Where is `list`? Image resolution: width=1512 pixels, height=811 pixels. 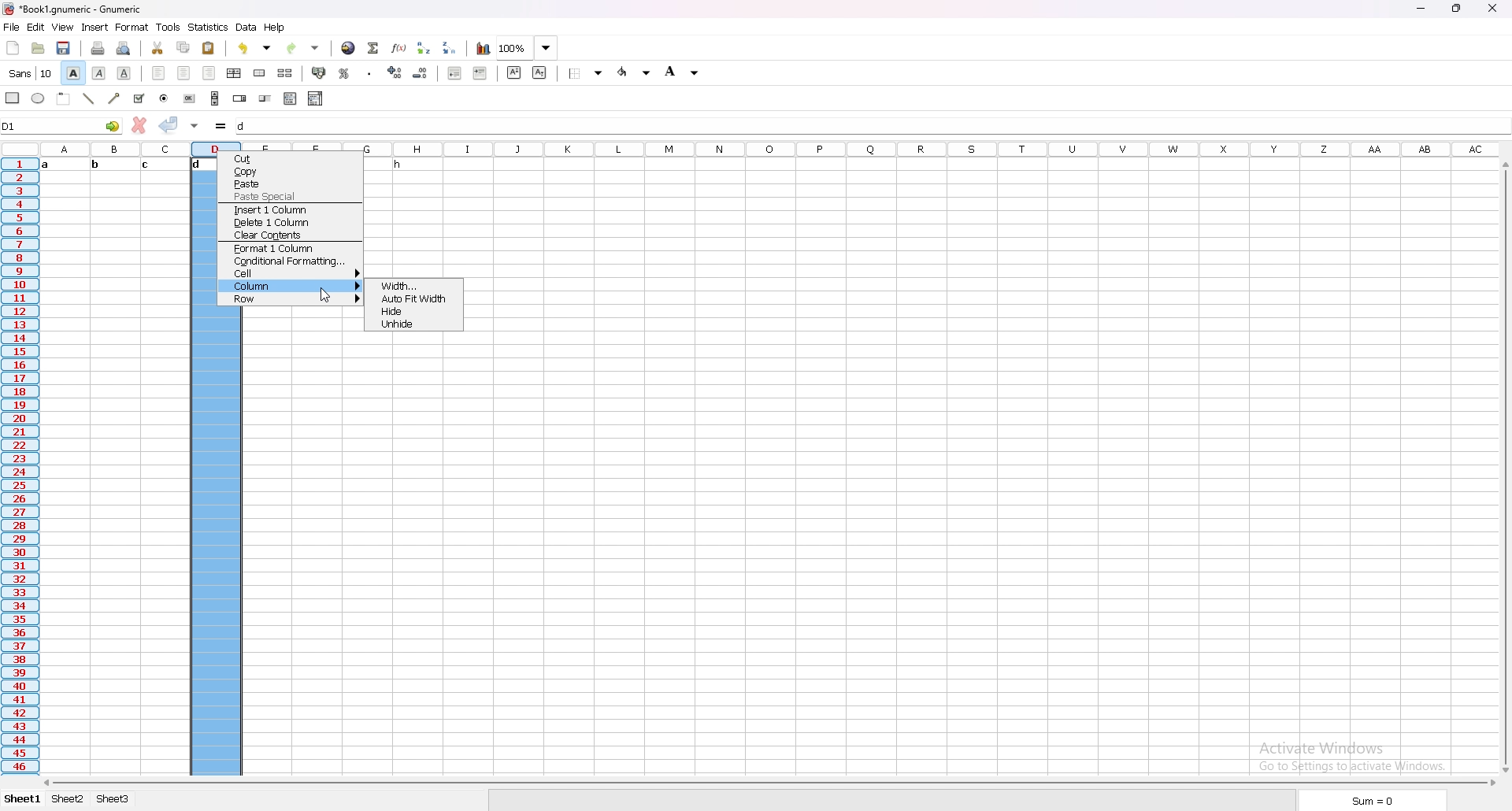
list is located at coordinates (291, 98).